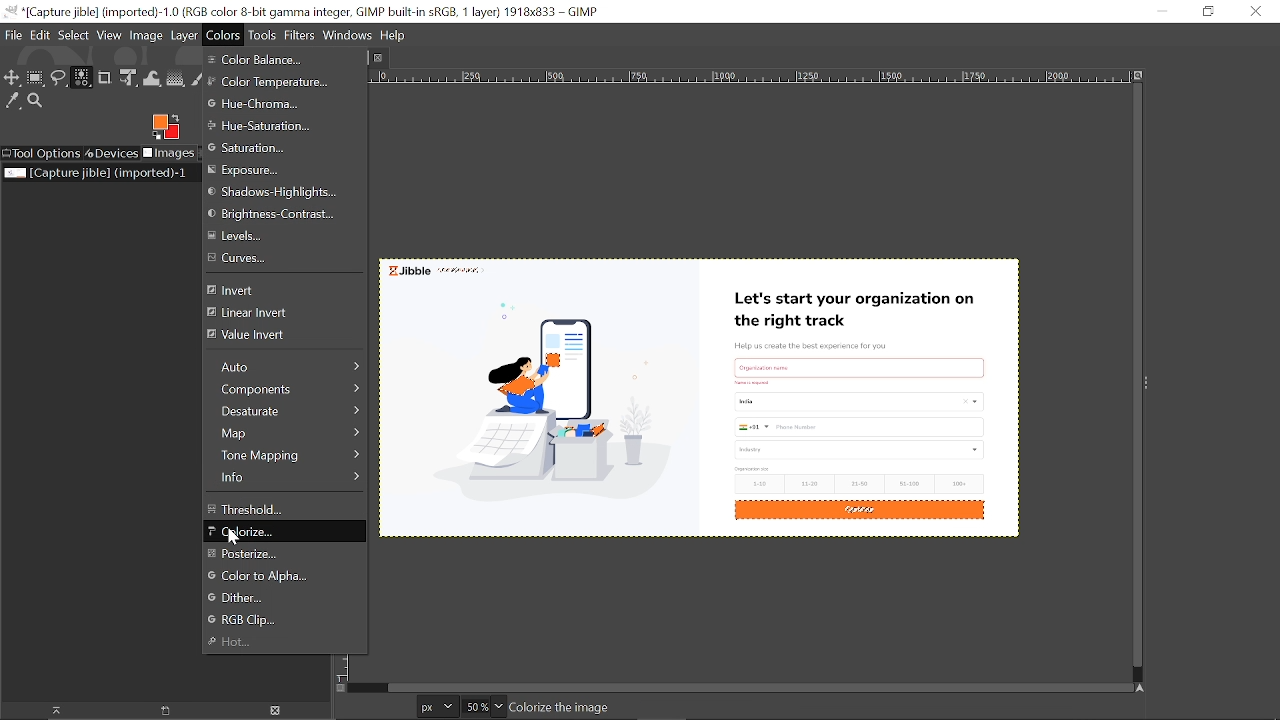 The height and width of the screenshot is (720, 1280). Describe the element at coordinates (238, 538) in the screenshot. I see `cursor` at that location.